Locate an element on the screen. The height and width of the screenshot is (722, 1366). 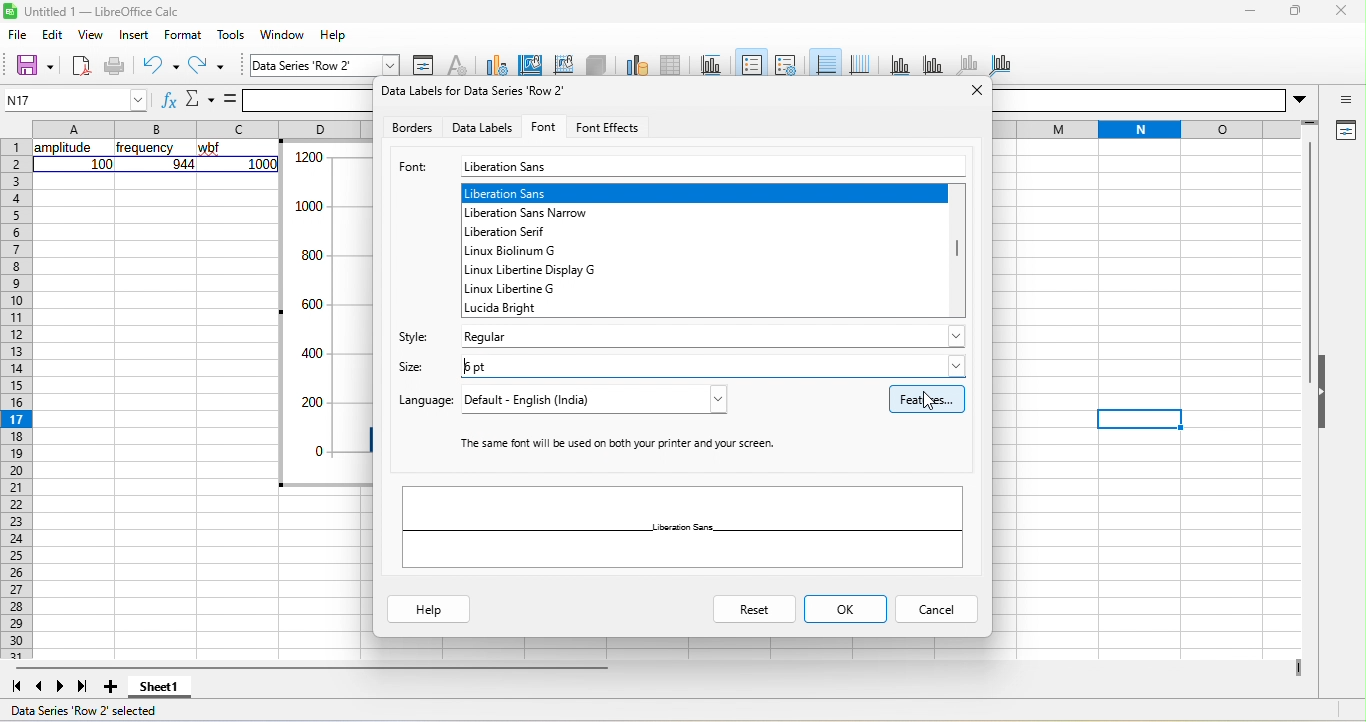
data table is located at coordinates (670, 64).